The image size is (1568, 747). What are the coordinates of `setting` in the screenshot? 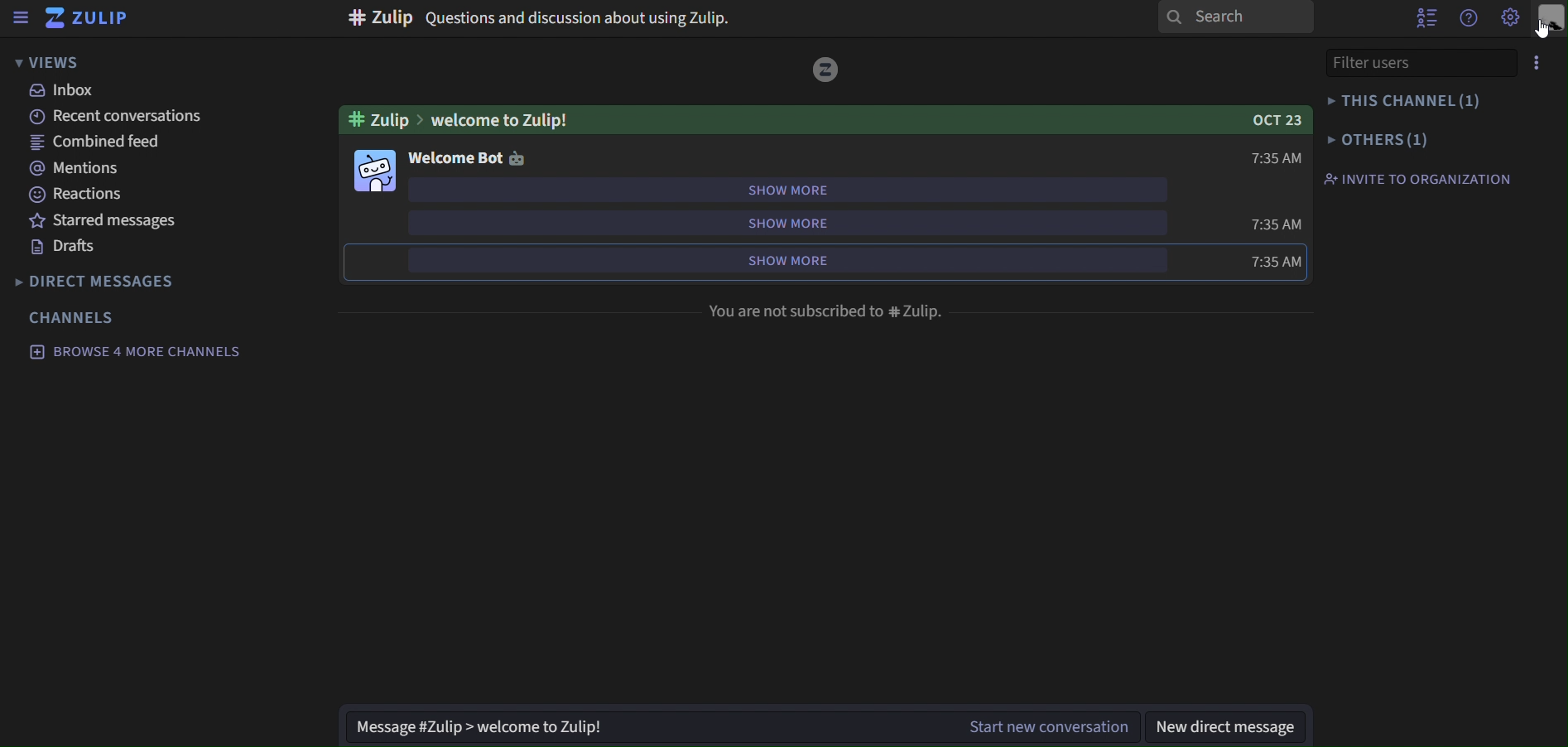 It's located at (1508, 18).